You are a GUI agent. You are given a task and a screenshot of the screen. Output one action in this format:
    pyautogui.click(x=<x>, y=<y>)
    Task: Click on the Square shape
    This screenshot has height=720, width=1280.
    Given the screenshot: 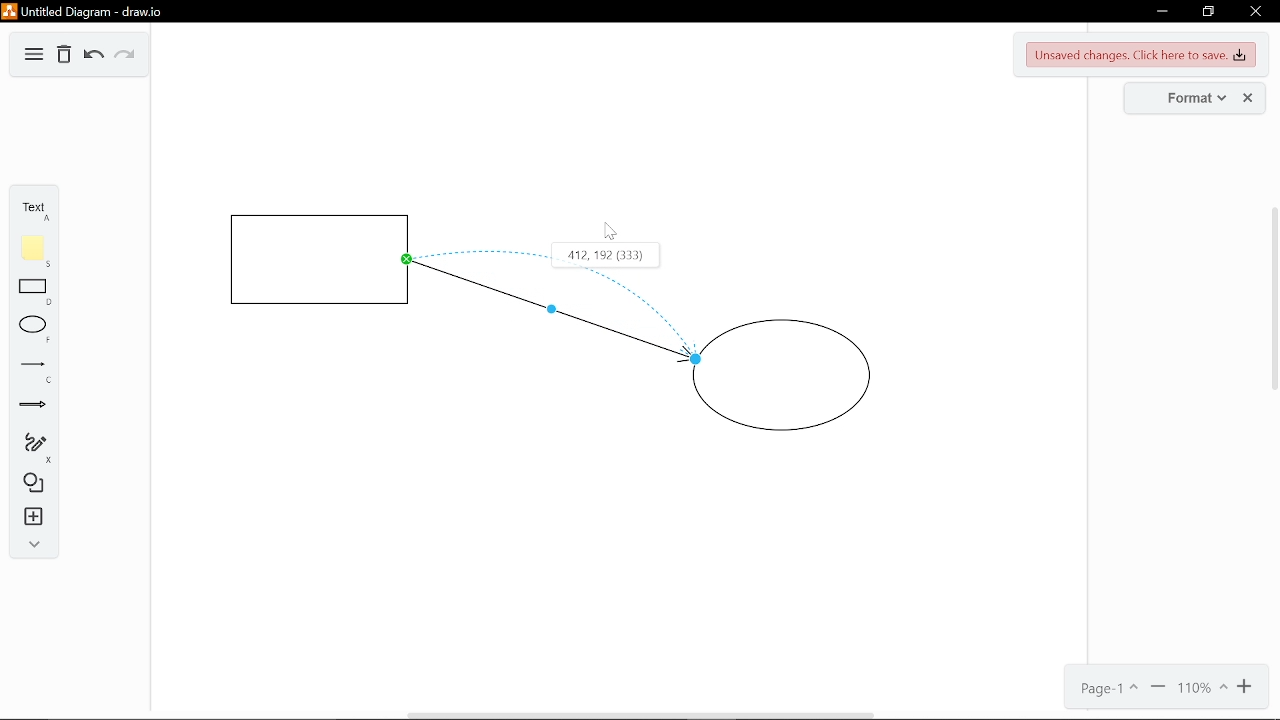 What is the action you would take?
    pyautogui.click(x=317, y=258)
    